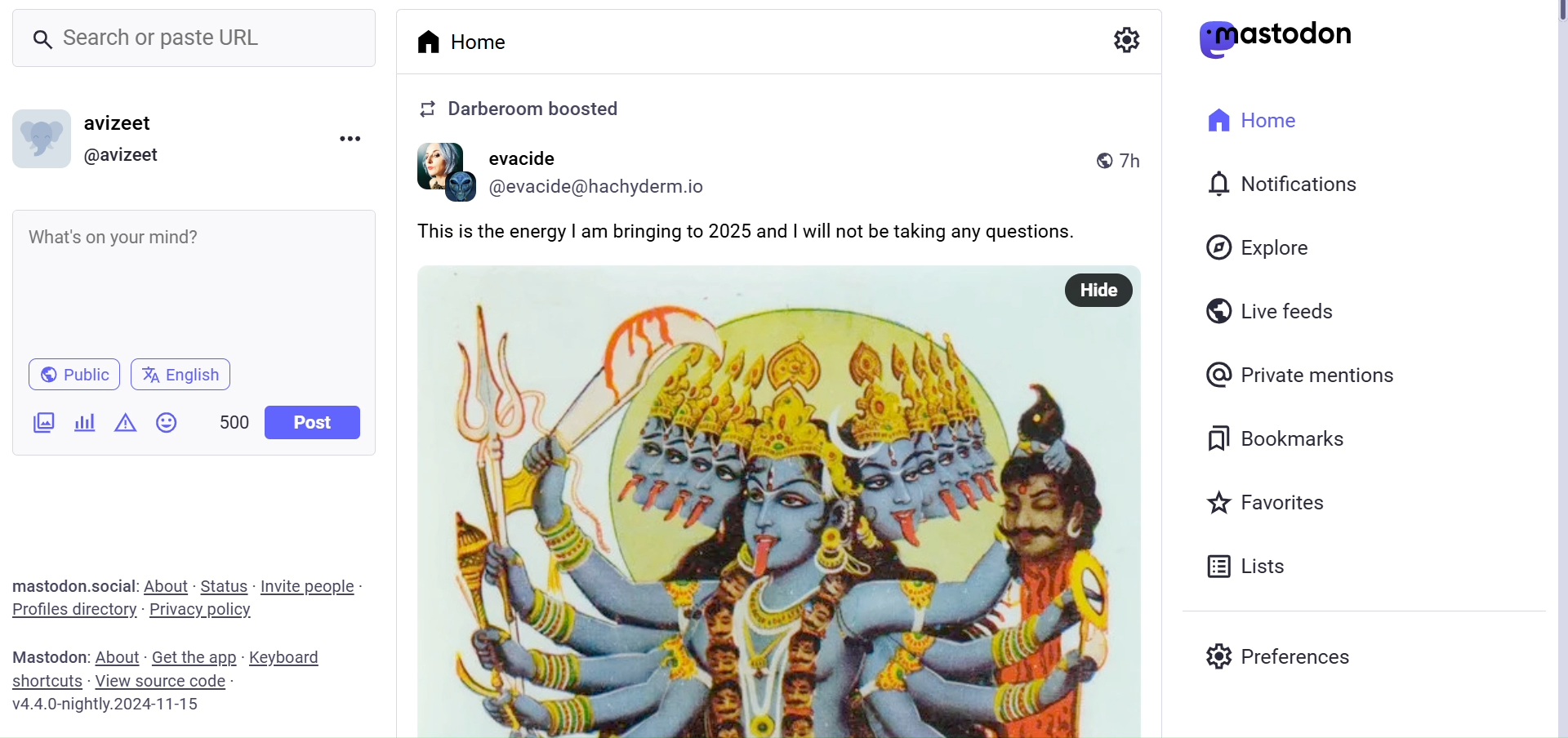 The height and width of the screenshot is (738, 1568). Describe the element at coordinates (167, 585) in the screenshot. I see `About` at that location.